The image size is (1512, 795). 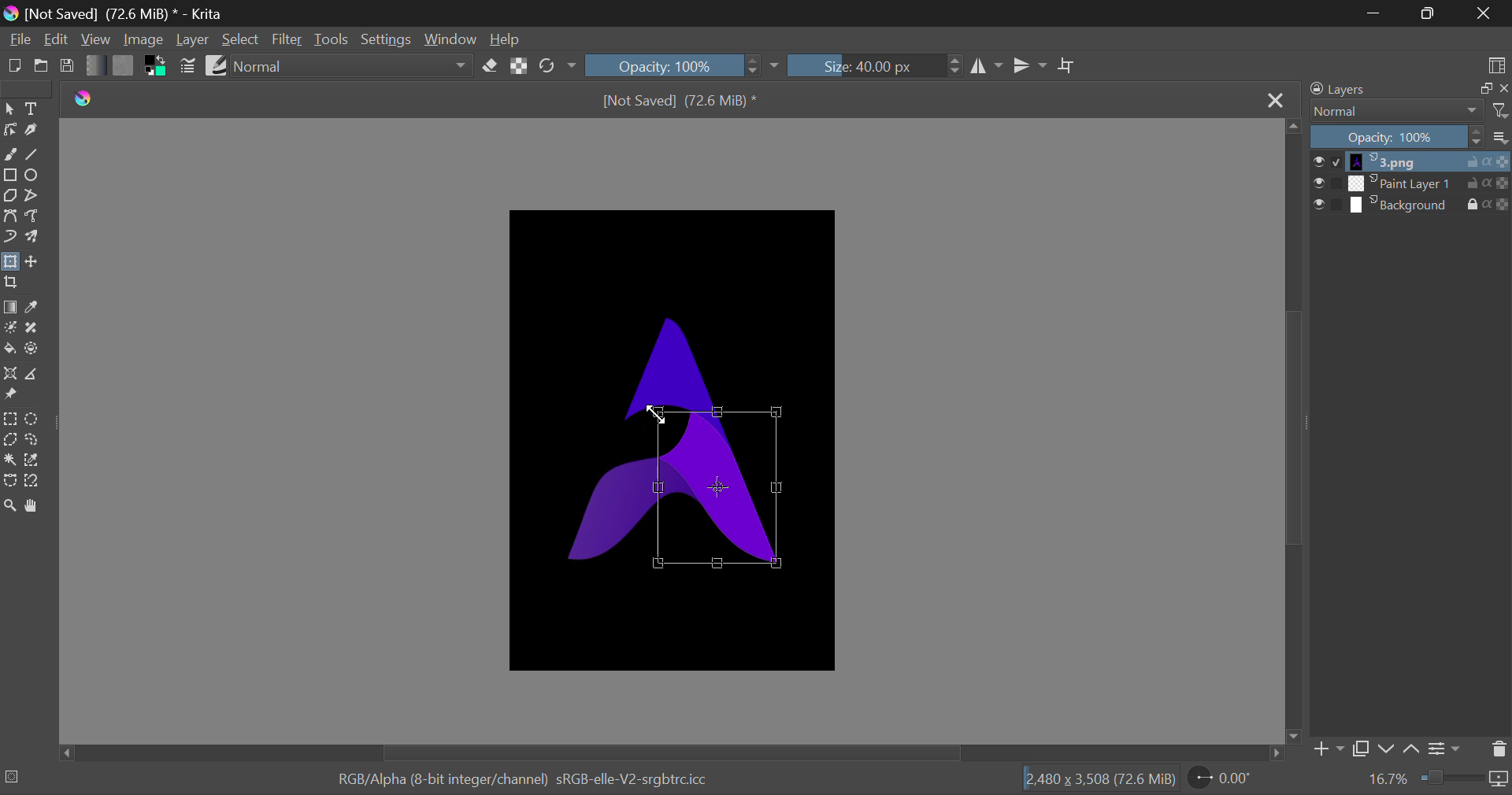 I want to click on layer 1, so click(x=1403, y=162).